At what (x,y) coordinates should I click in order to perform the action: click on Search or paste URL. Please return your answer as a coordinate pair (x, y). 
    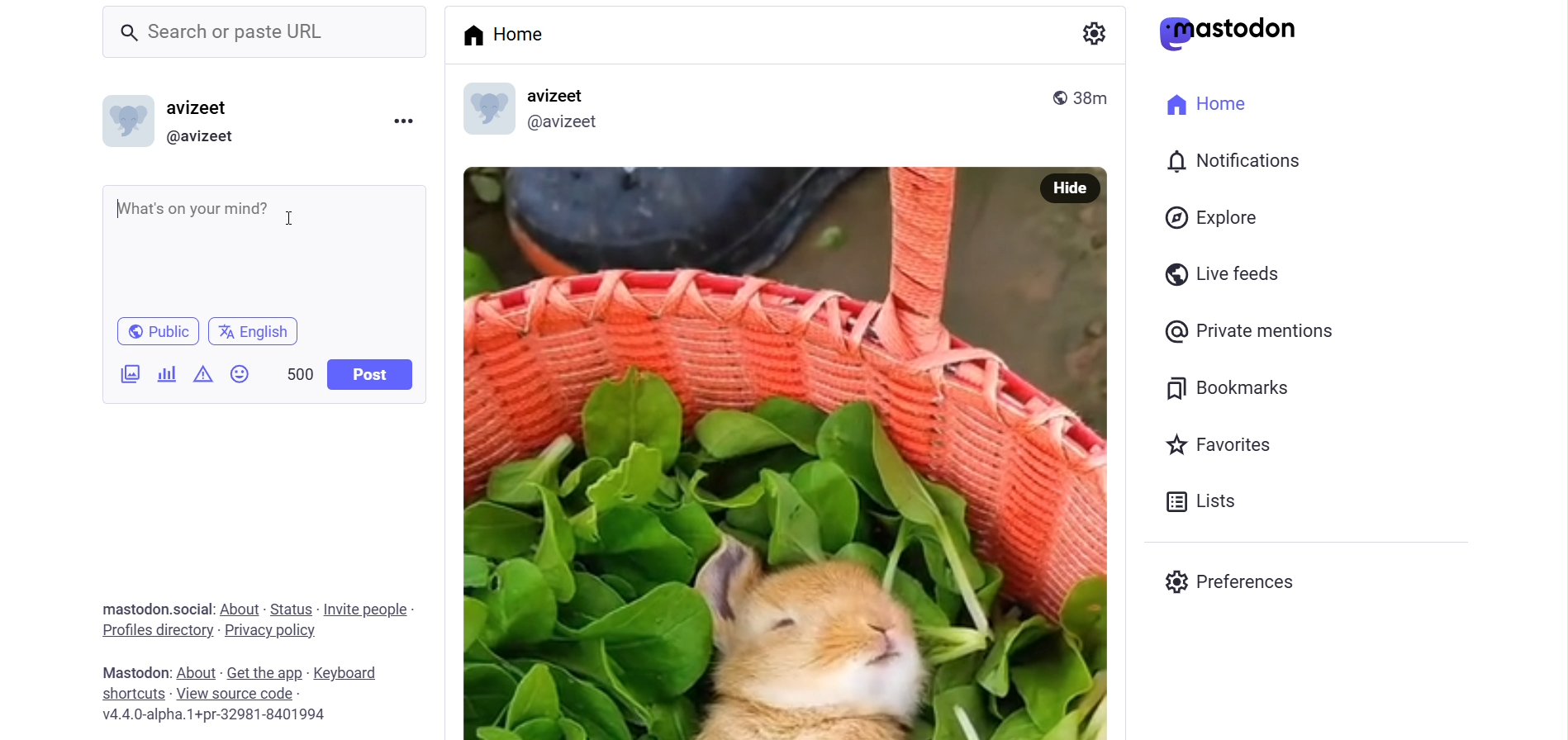
    Looking at the image, I should click on (267, 33).